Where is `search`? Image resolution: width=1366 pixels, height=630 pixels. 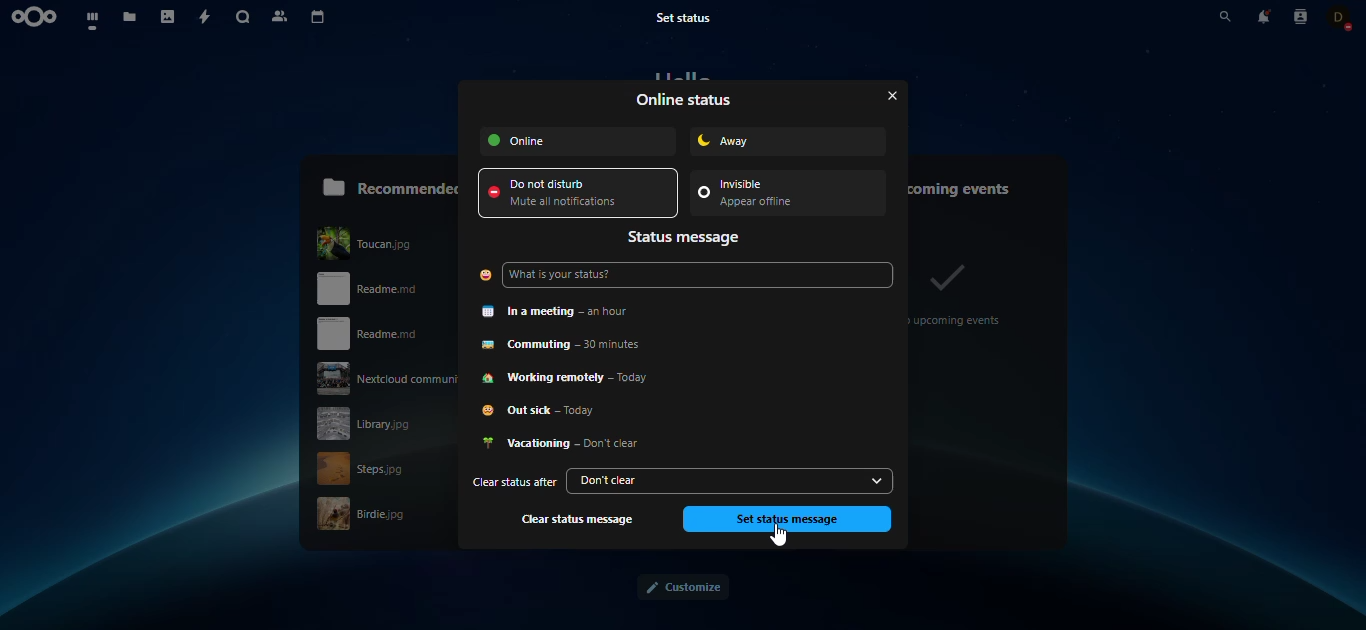 search is located at coordinates (244, 19).